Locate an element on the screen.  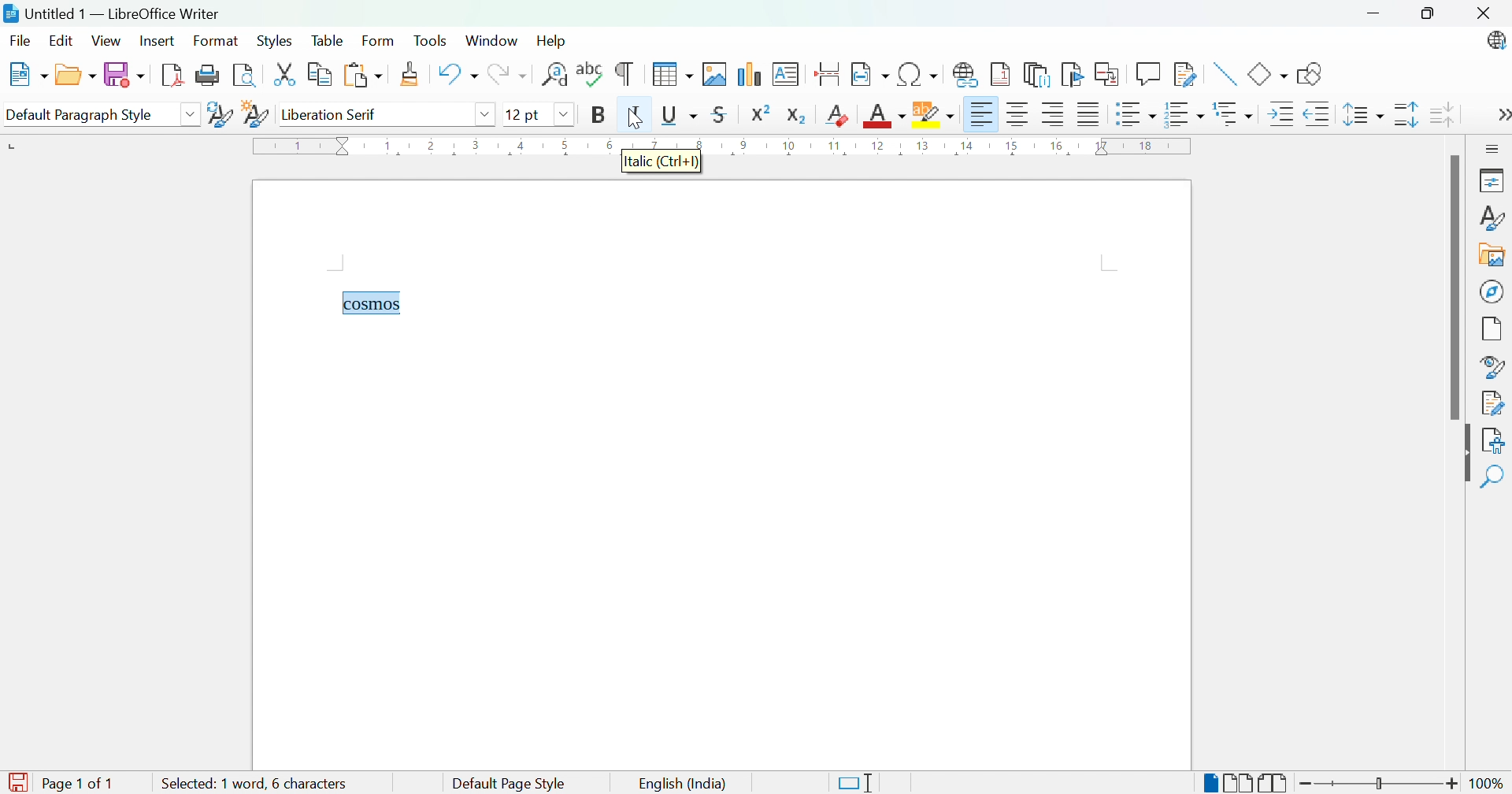
Zoom out is located at coordinates (1308, 785).